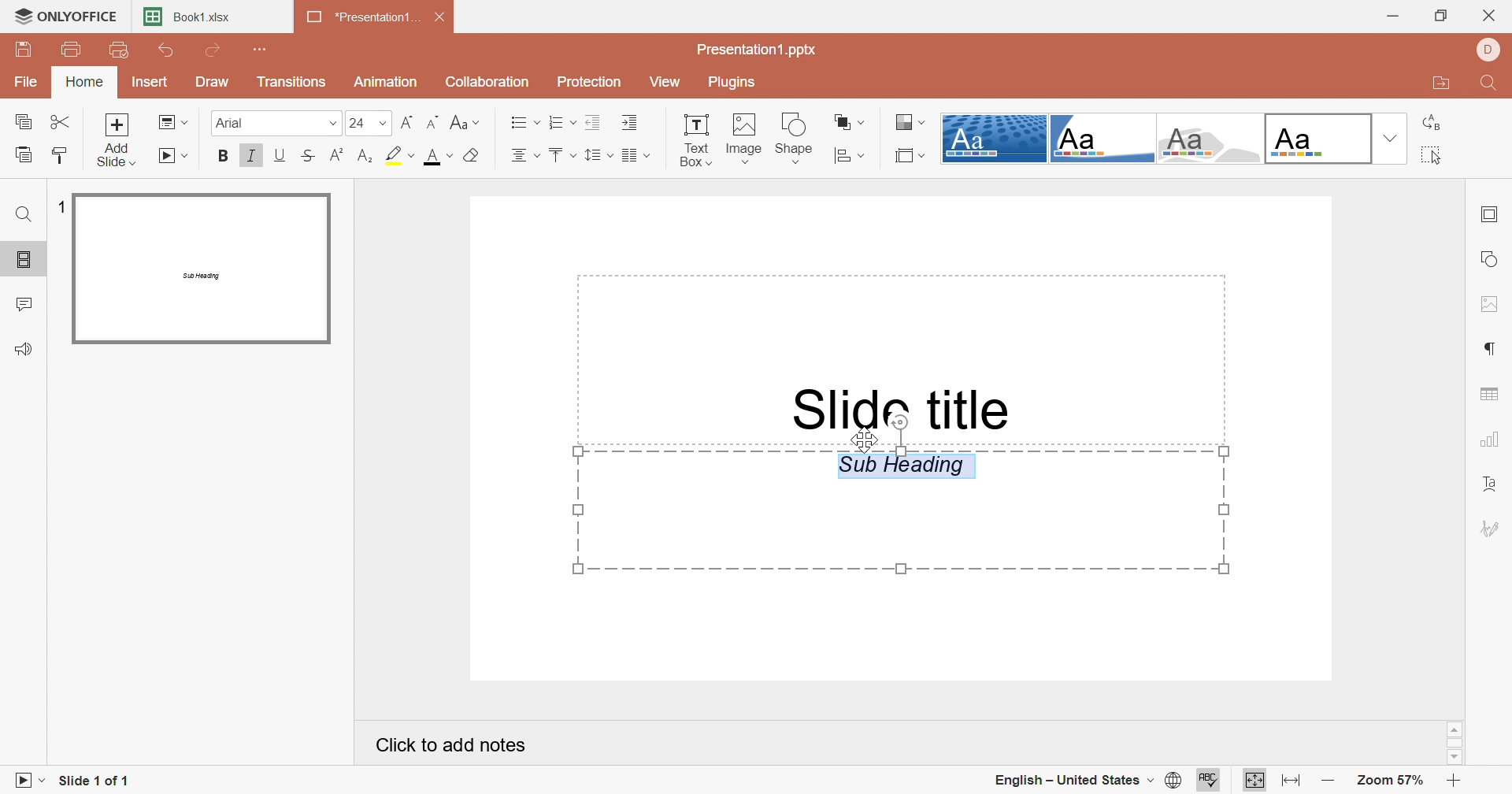 The width and height of the screenshot is (1512, 794). I want to click on 1, so click(61, 203).